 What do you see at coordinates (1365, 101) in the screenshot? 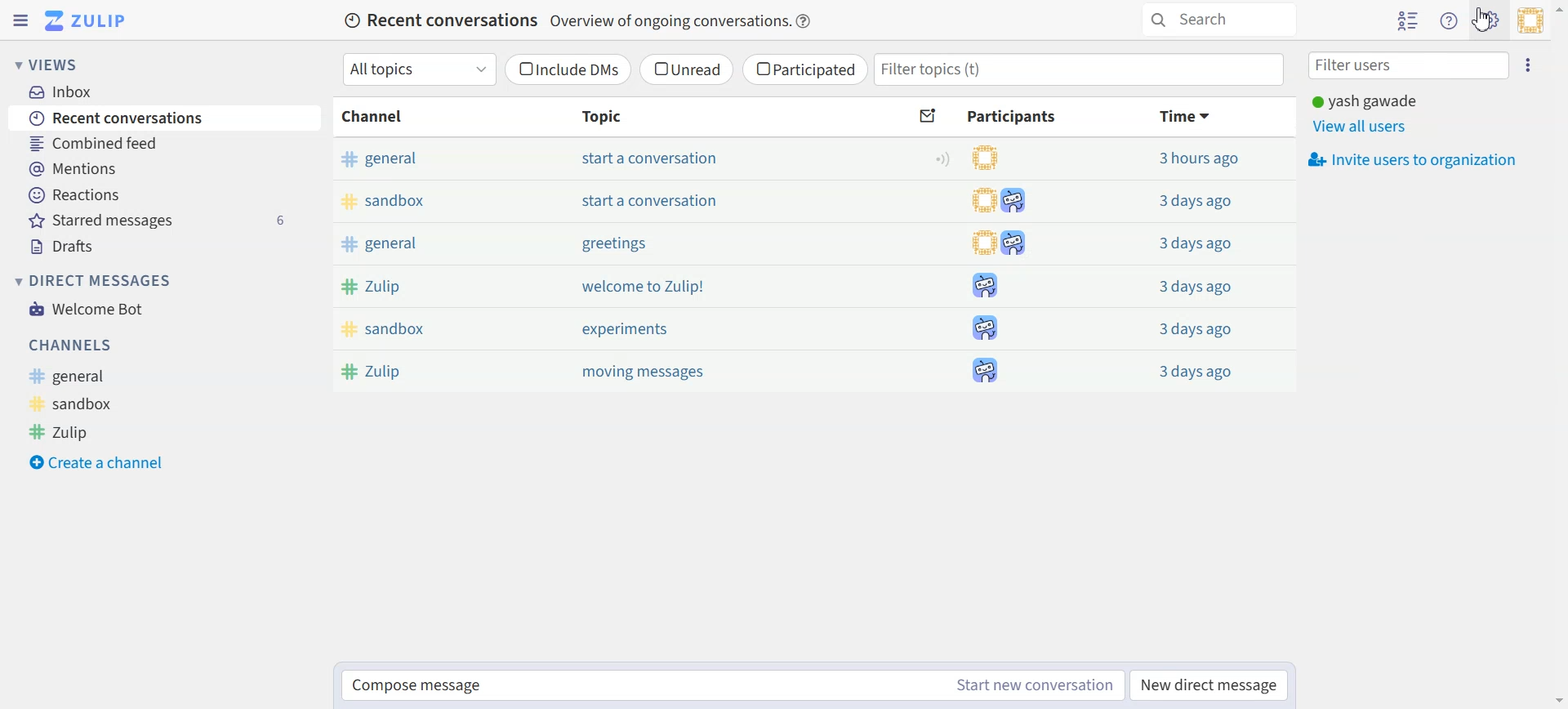
I see `yash gawade` at bounding box center [1365, 101].